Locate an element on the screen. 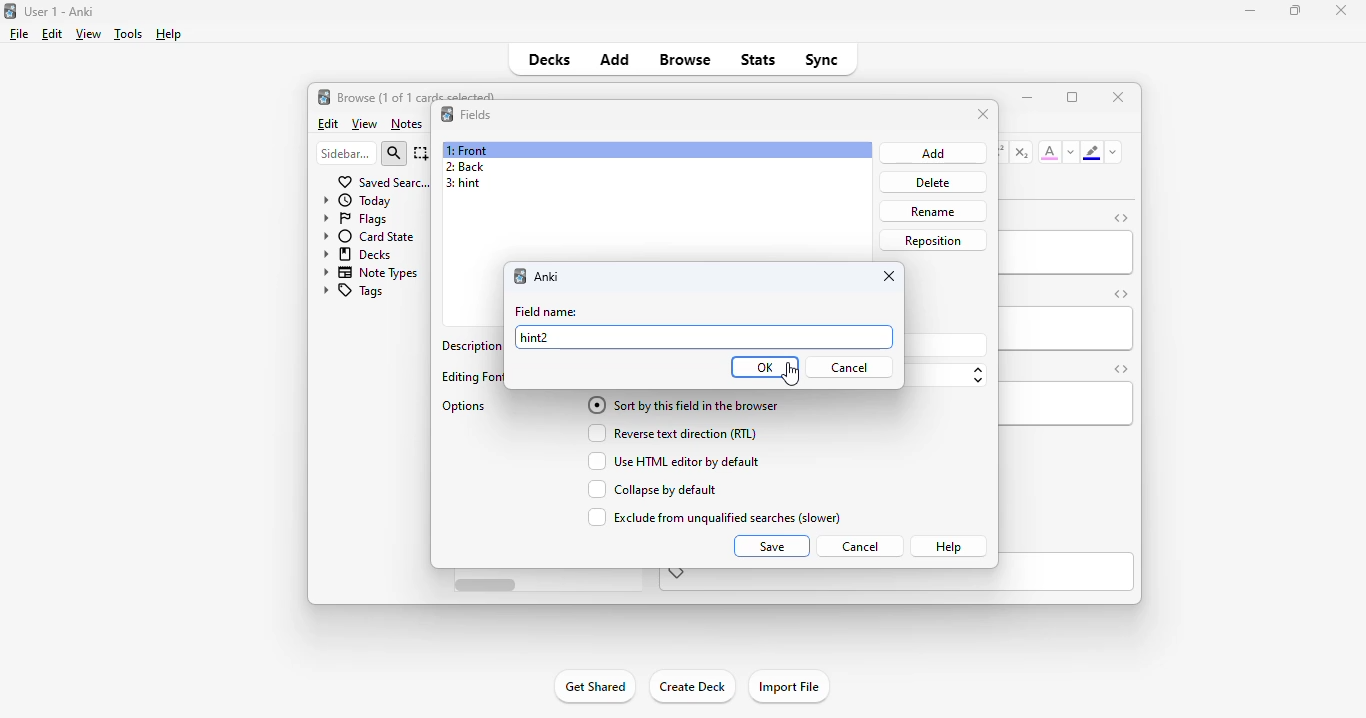  import file is located at coordinates (788, 687).